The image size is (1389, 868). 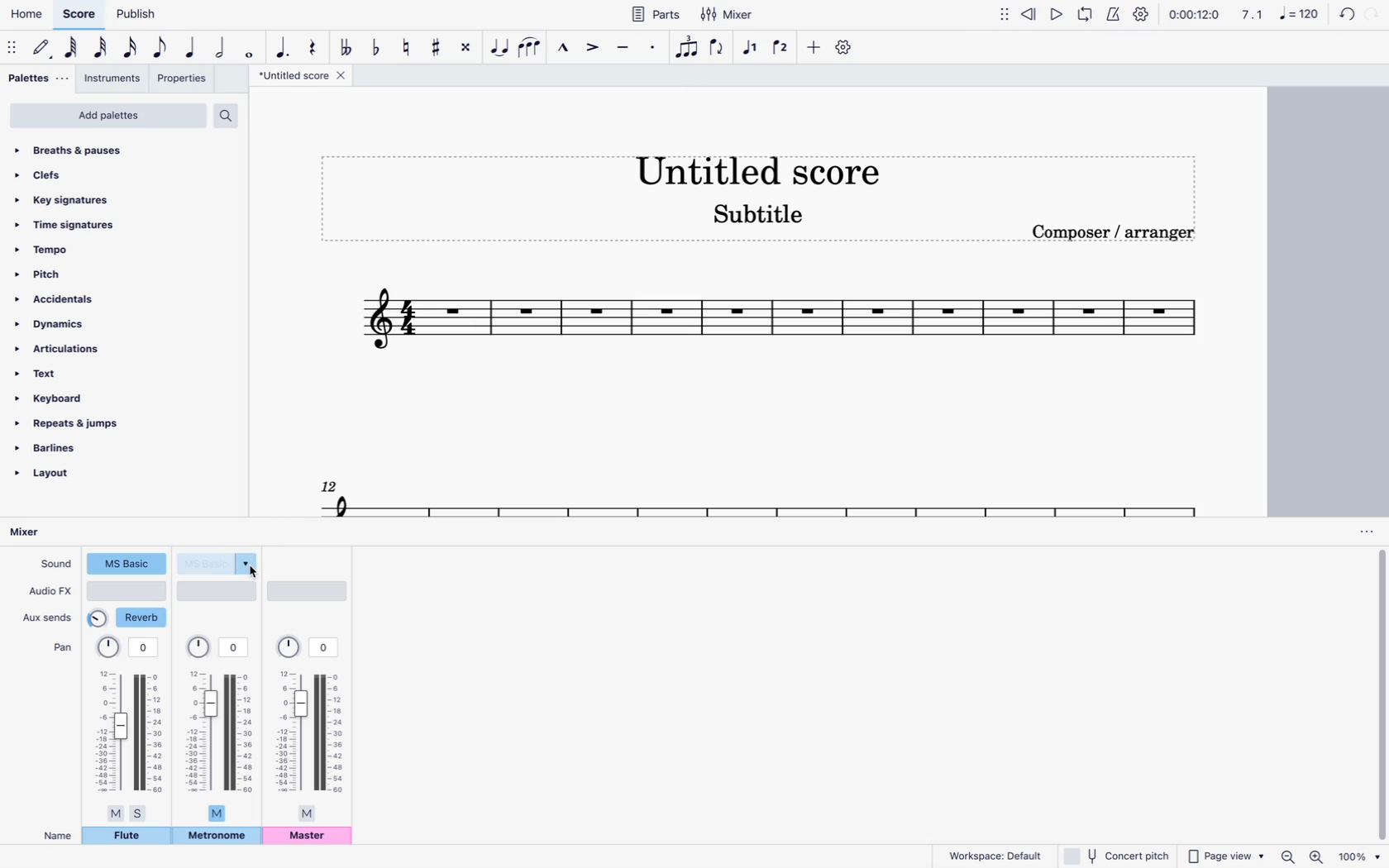 I want to click on mixer, so click(x=728, y=15).